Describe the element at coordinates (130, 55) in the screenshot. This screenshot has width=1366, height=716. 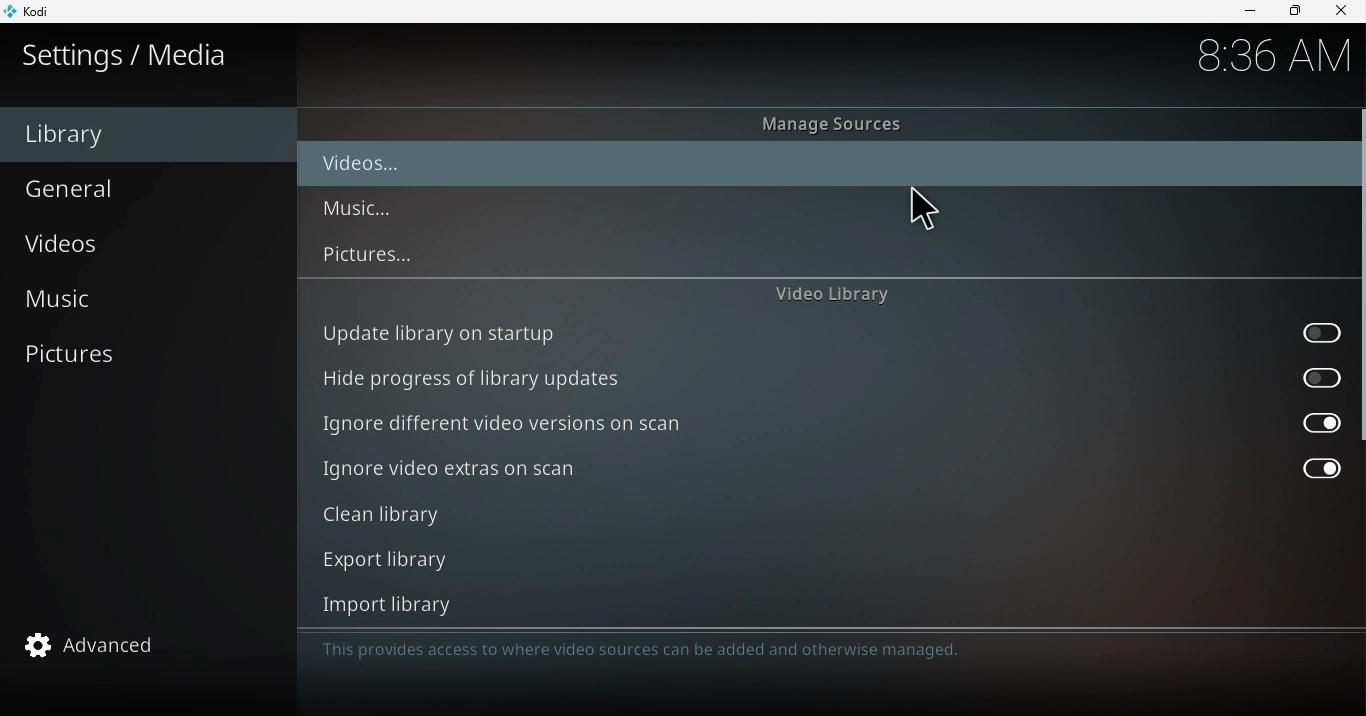
I see `Settings/media` at that location.